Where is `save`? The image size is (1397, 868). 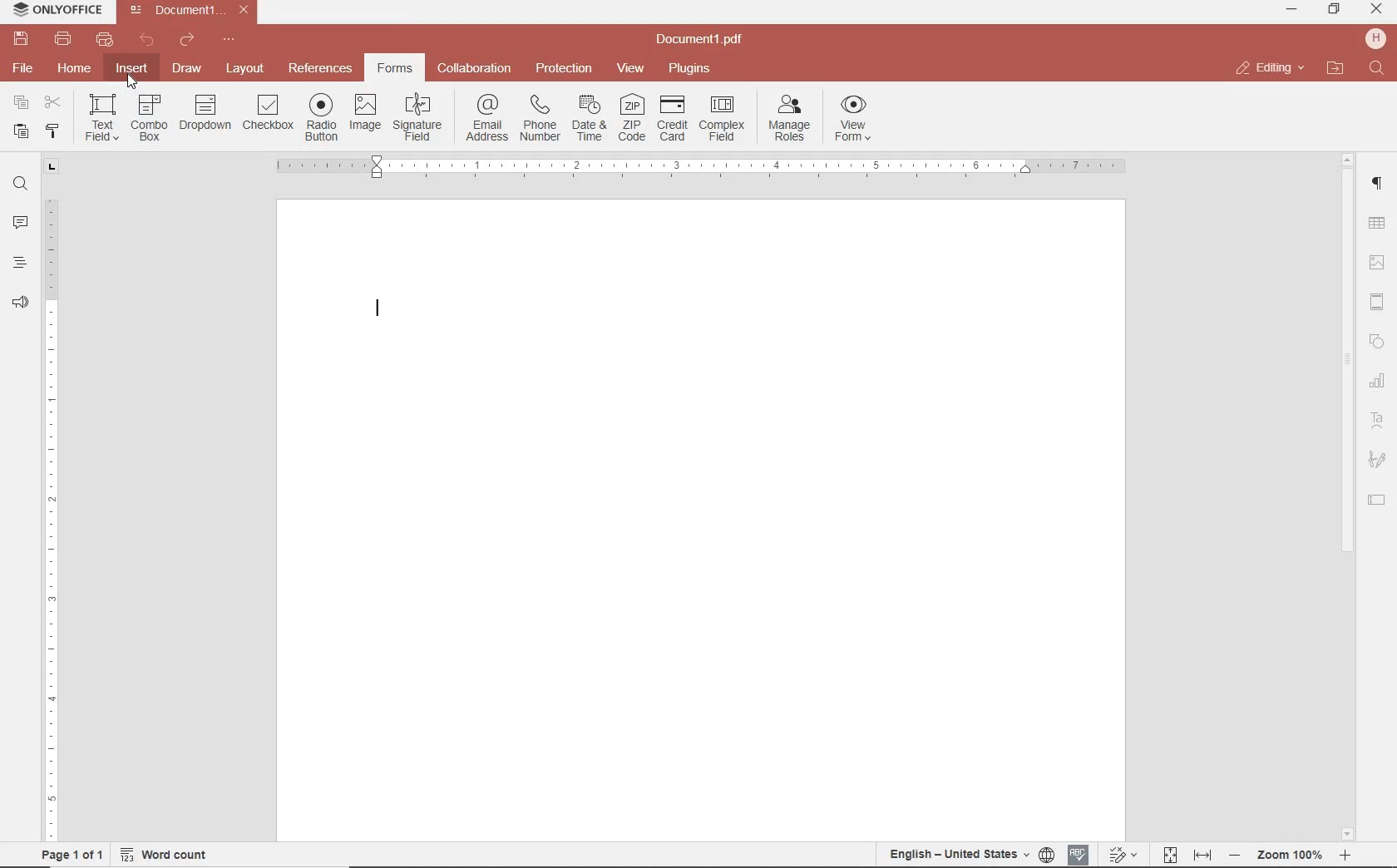 save is located at coordinates (19, 39).